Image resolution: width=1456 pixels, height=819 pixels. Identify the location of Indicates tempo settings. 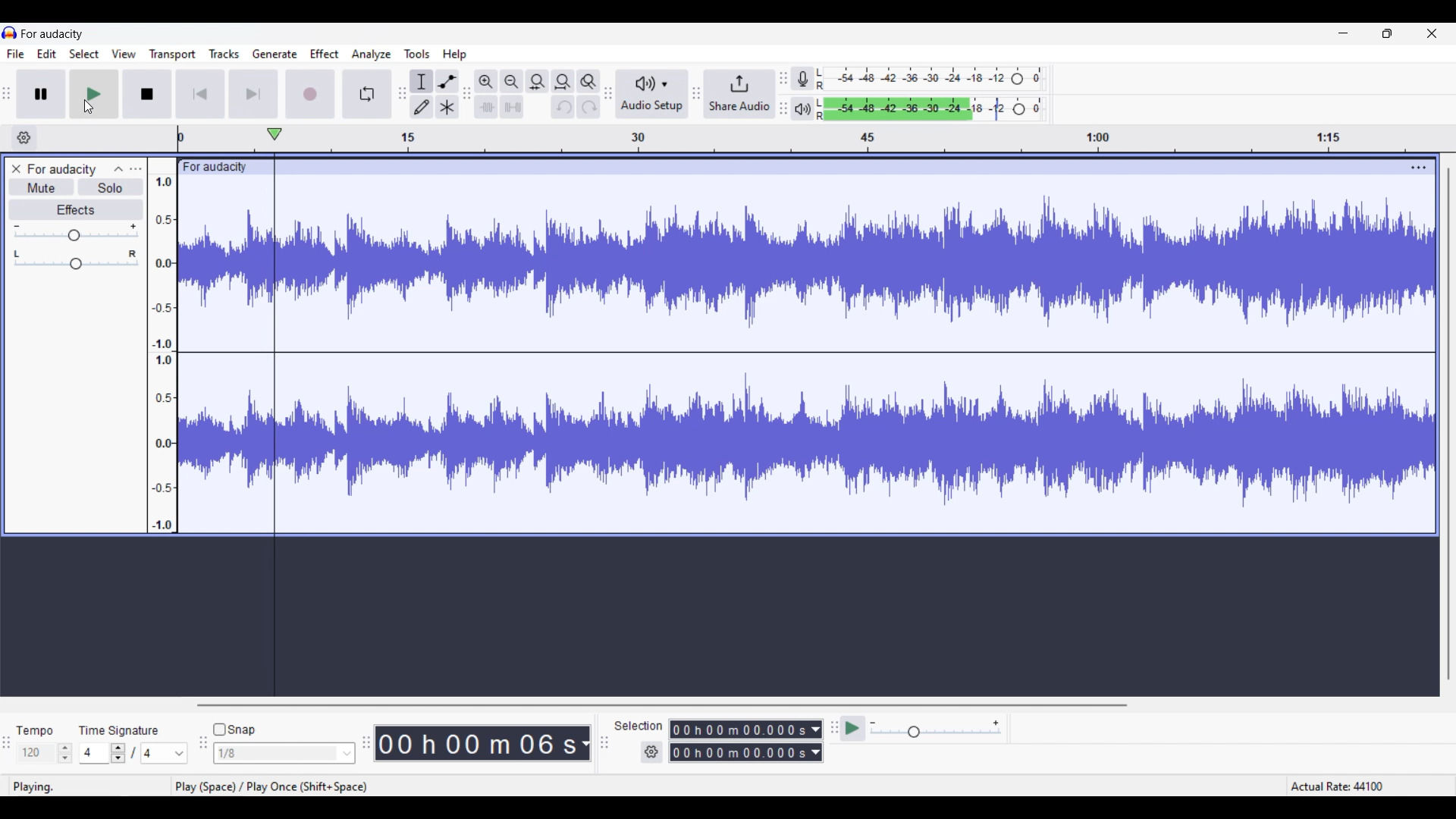
(35, 730).